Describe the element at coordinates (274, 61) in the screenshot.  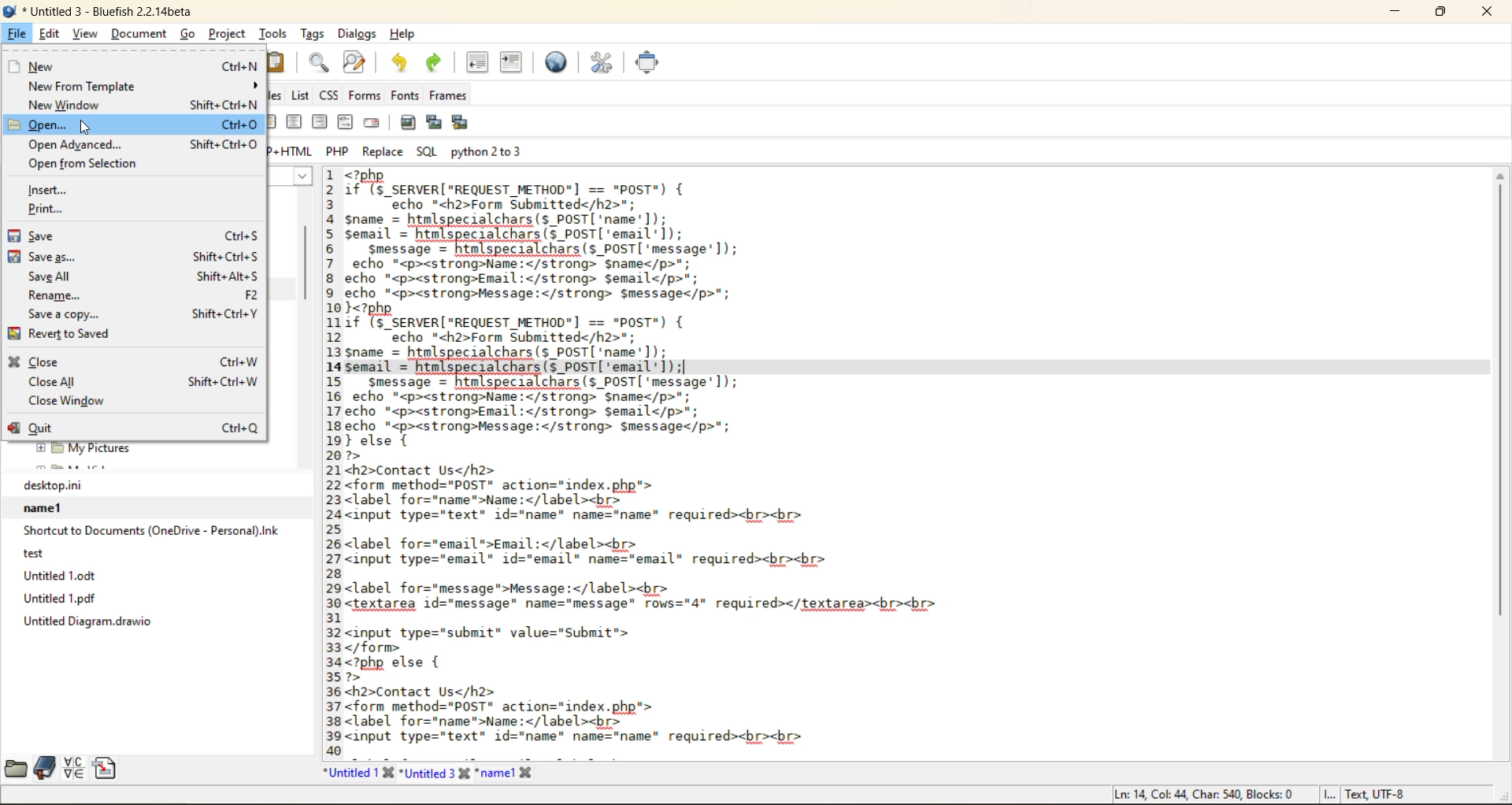
I see `paste` at that location.